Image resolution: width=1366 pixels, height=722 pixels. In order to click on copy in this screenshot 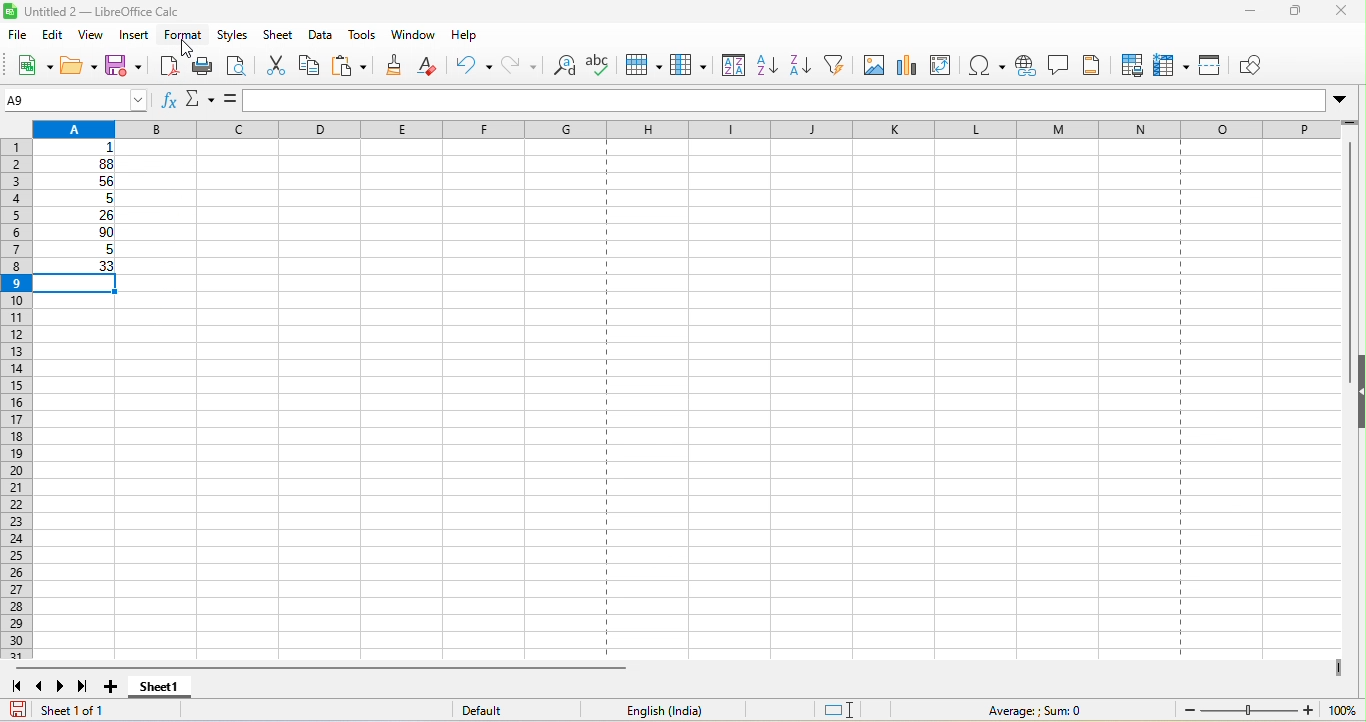, I will do `click(309, 65)`.